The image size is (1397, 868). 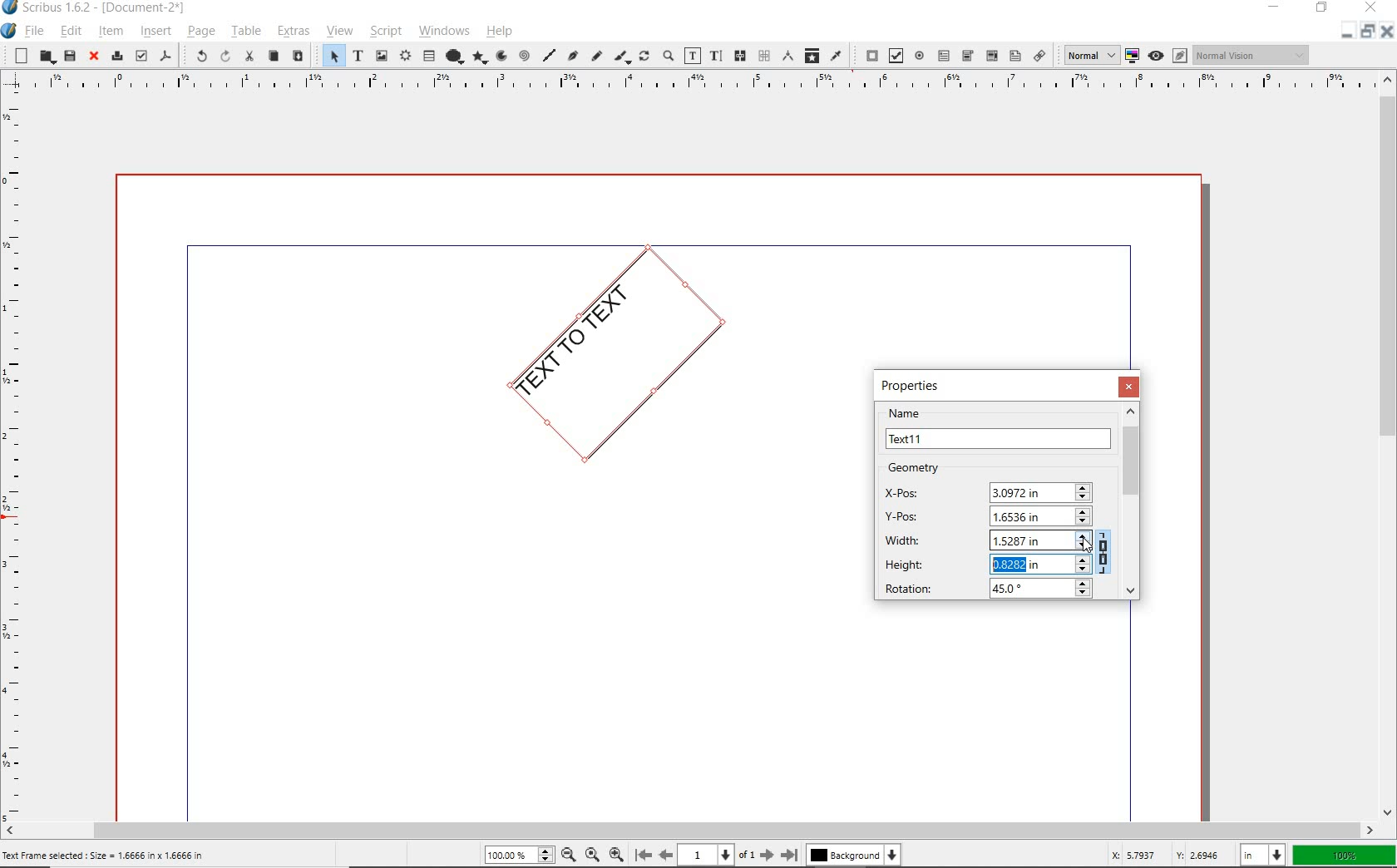 I want to click on SCROLLBAR, so click(x=1133, y=501).